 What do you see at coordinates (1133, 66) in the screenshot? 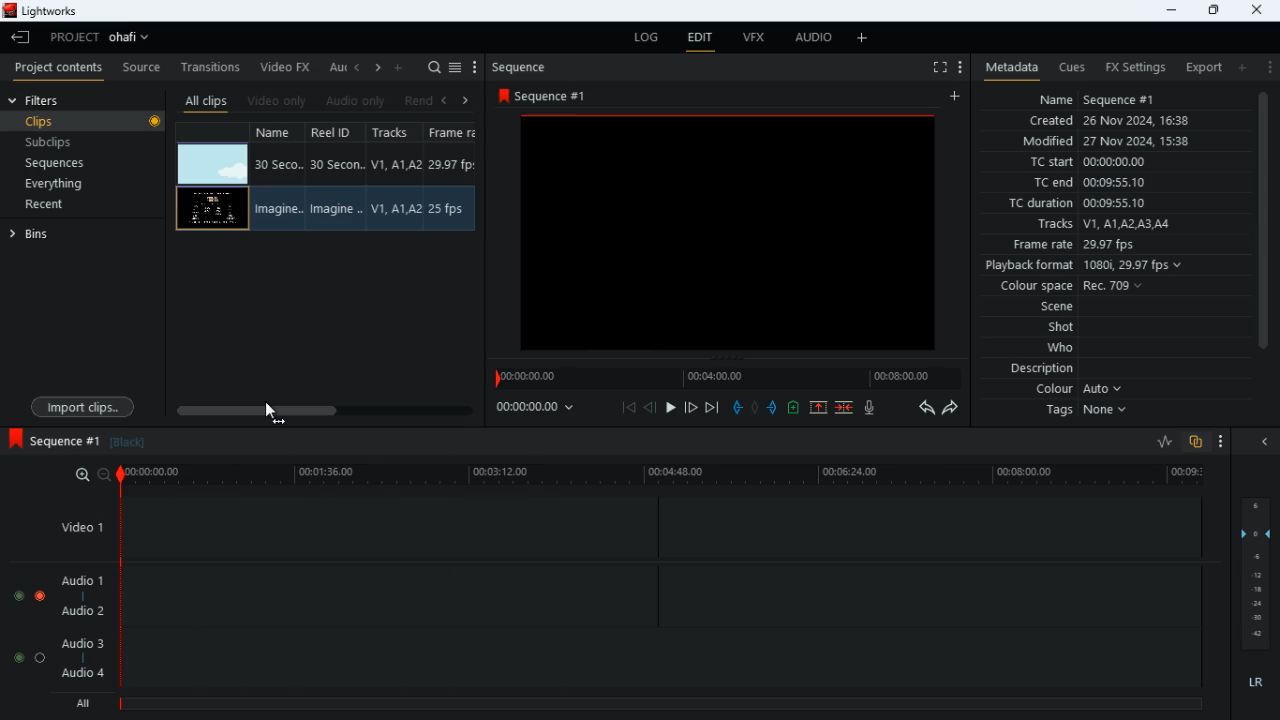
I see `fx settings` at bounding box center [1133, 66].